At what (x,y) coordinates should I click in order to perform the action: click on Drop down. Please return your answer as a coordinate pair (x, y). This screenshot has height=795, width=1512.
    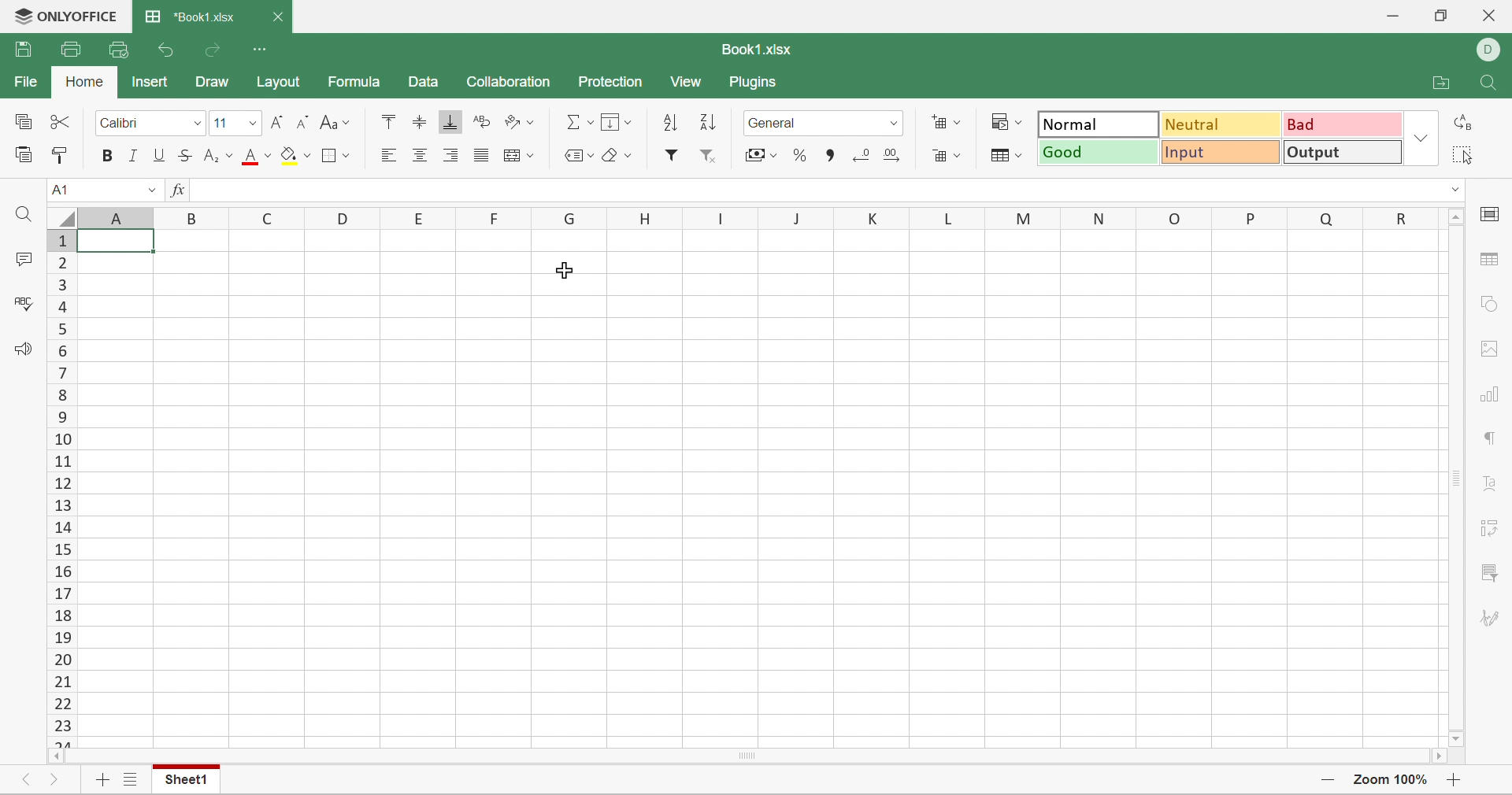
    Looking at the image, I should click on (1421, 138).